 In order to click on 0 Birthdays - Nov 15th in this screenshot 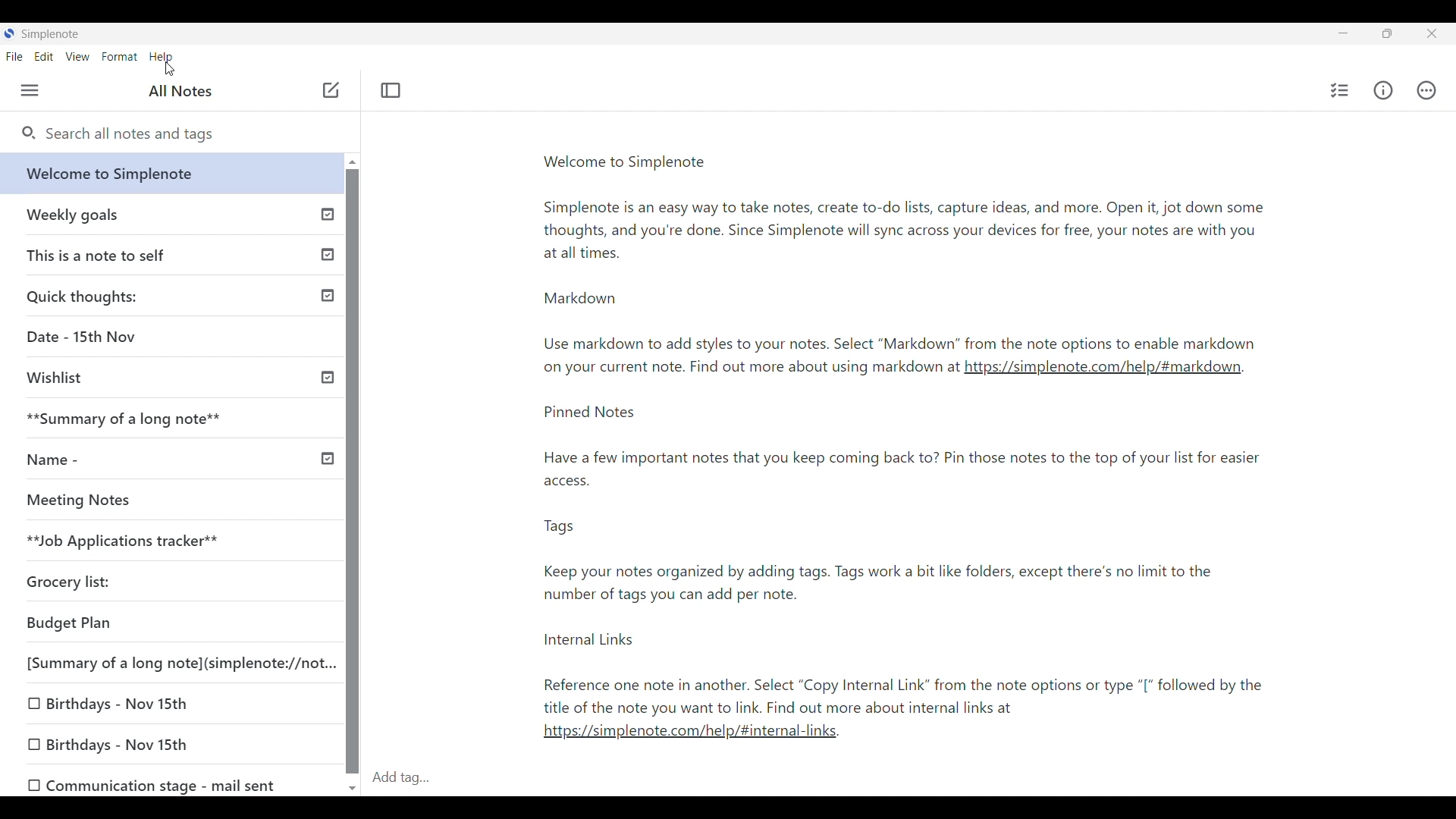, I will do `click(105, 704)`.